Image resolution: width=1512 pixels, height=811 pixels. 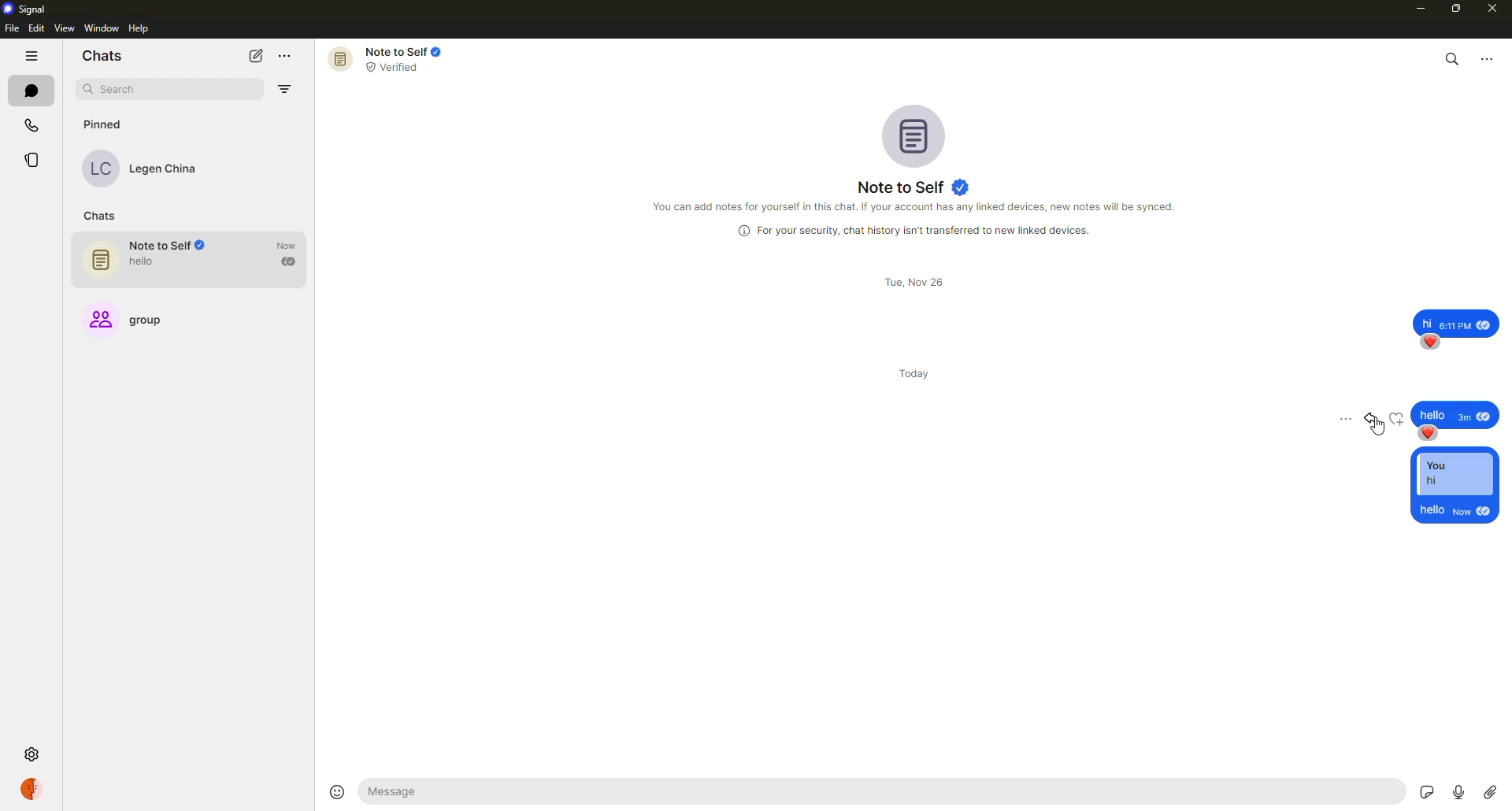 What do you see at coordinates (286, 91) in the screenshot?
I see `filter` at bounding box center [286, 91].